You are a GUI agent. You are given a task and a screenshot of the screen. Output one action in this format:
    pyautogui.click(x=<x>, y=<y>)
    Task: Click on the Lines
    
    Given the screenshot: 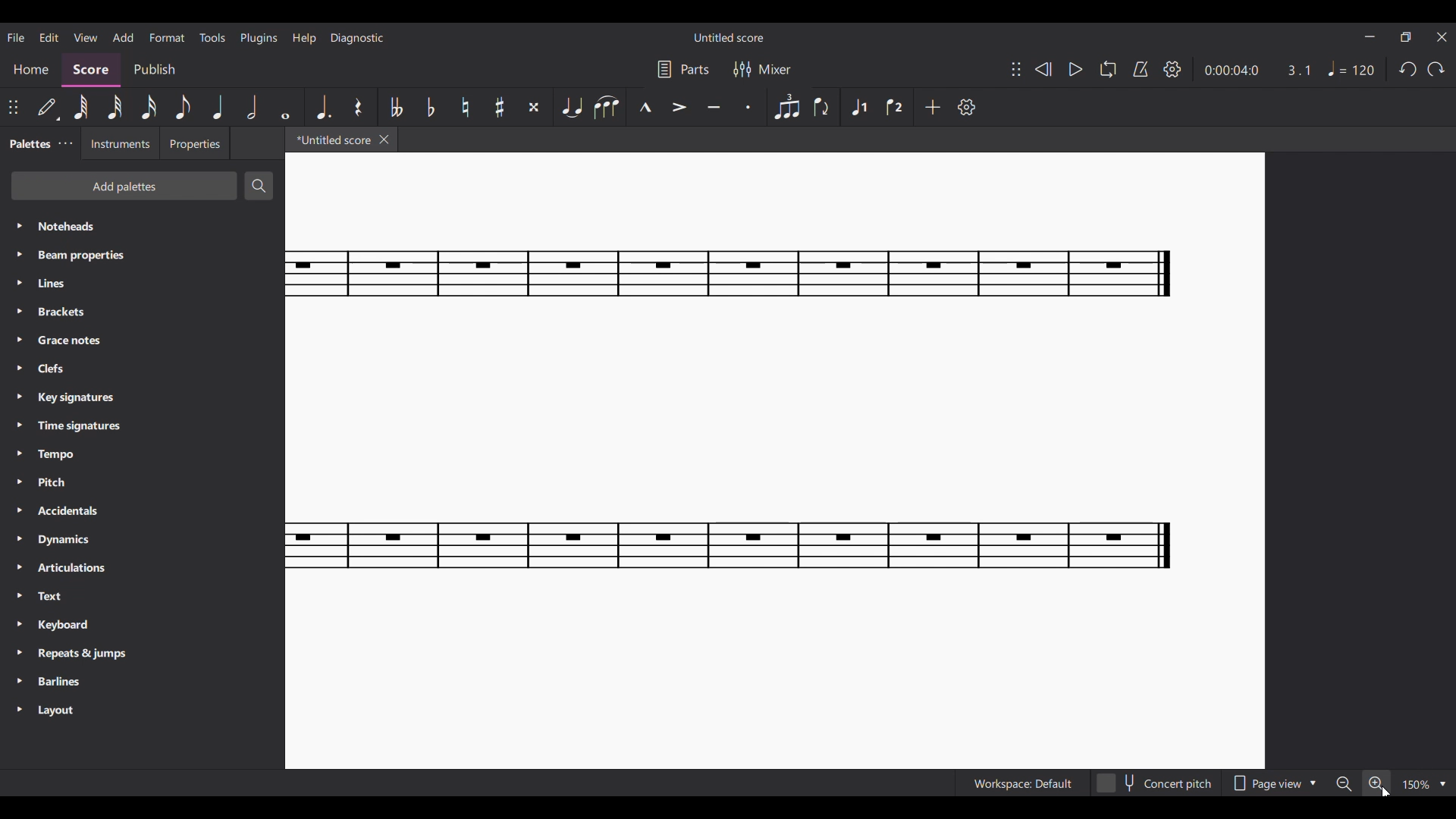 What is the action you would take?
    pyautogui.click(x=142, y=283)
    